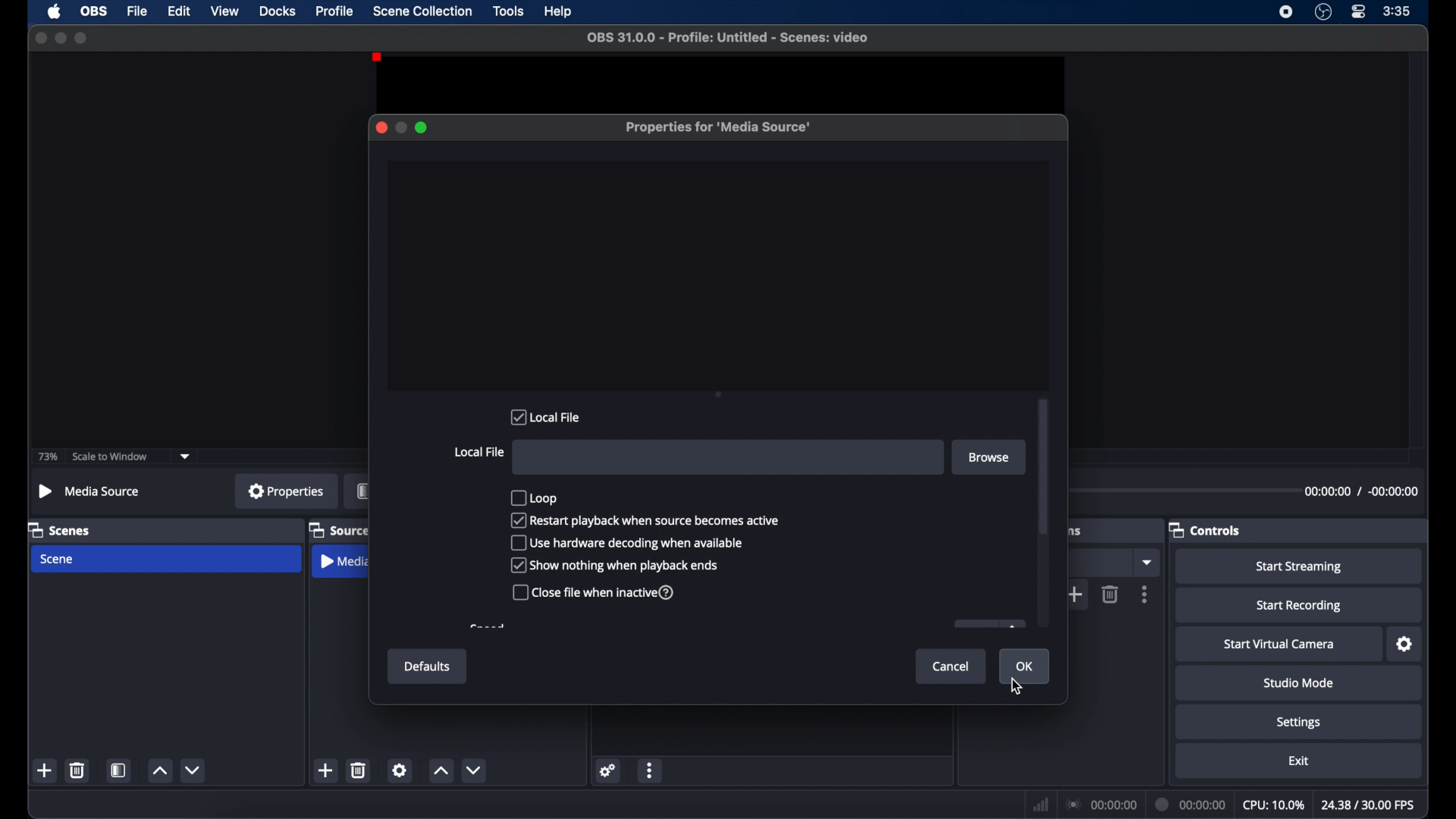 The width and height of the screenshot is (1456, 819). I want to click on obscure text, so click(486, 626).